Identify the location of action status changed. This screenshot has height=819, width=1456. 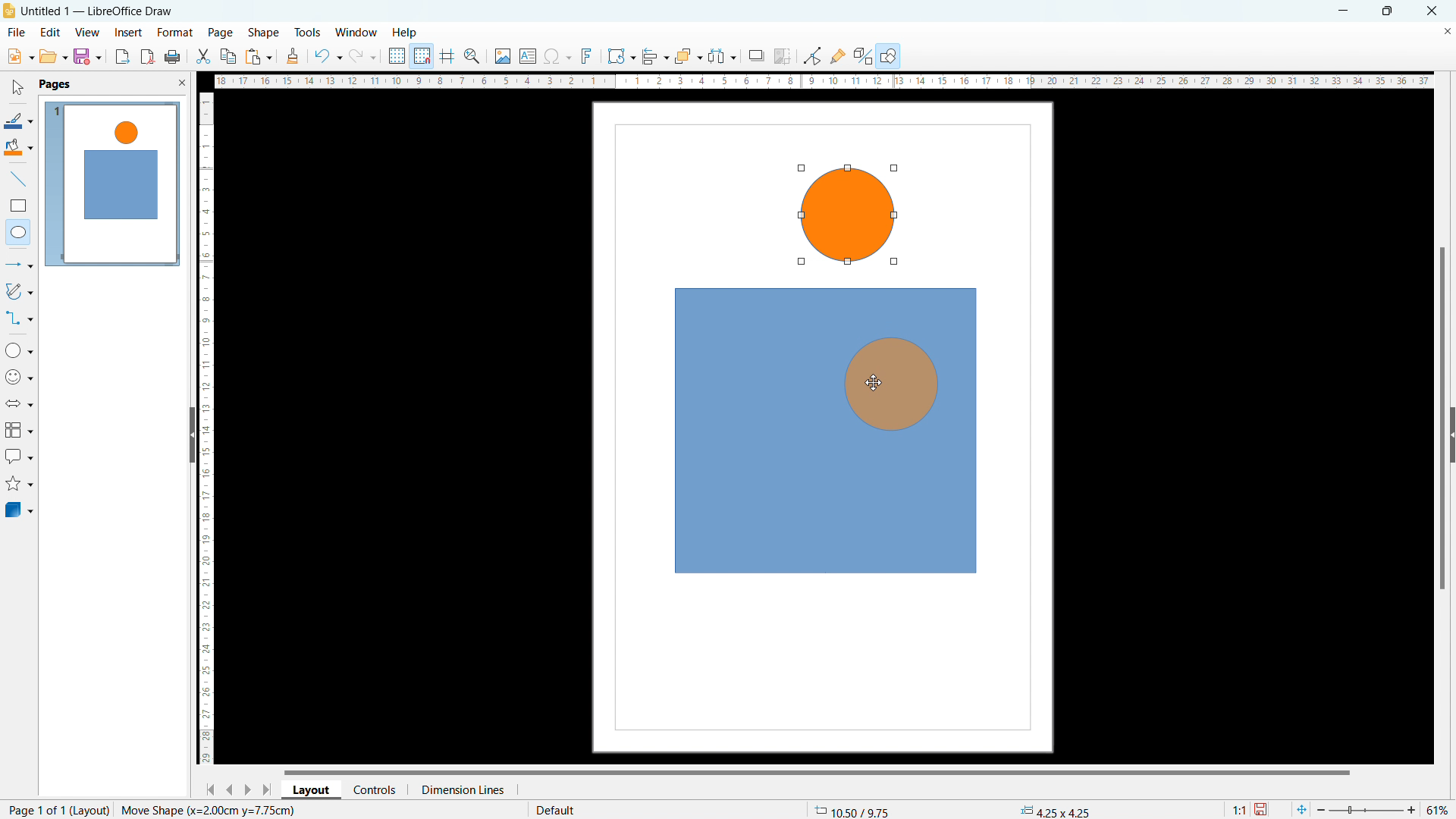
(208, 810).